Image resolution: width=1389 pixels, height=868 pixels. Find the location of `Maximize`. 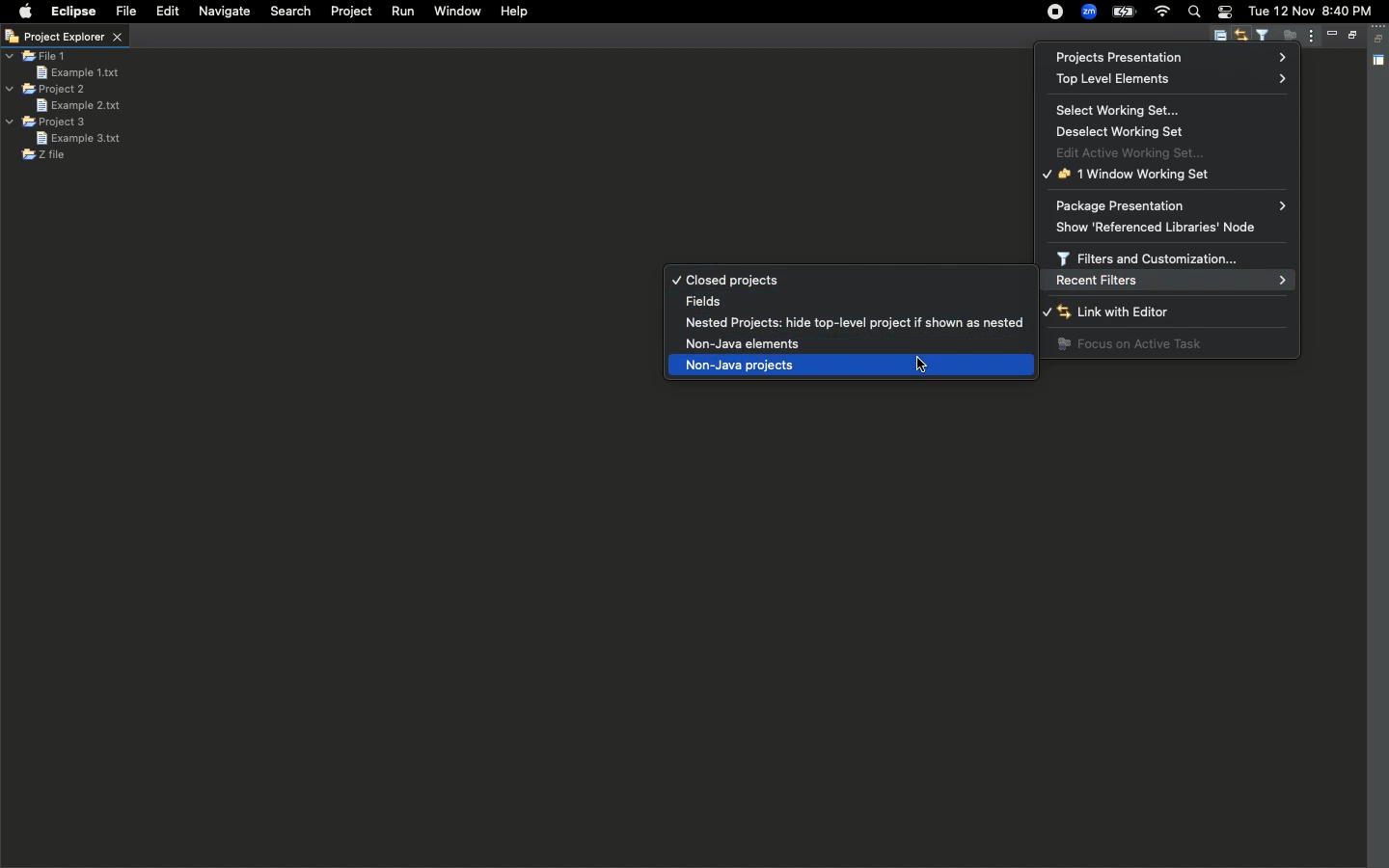

Maximize is located at coordinates (1350, 37).